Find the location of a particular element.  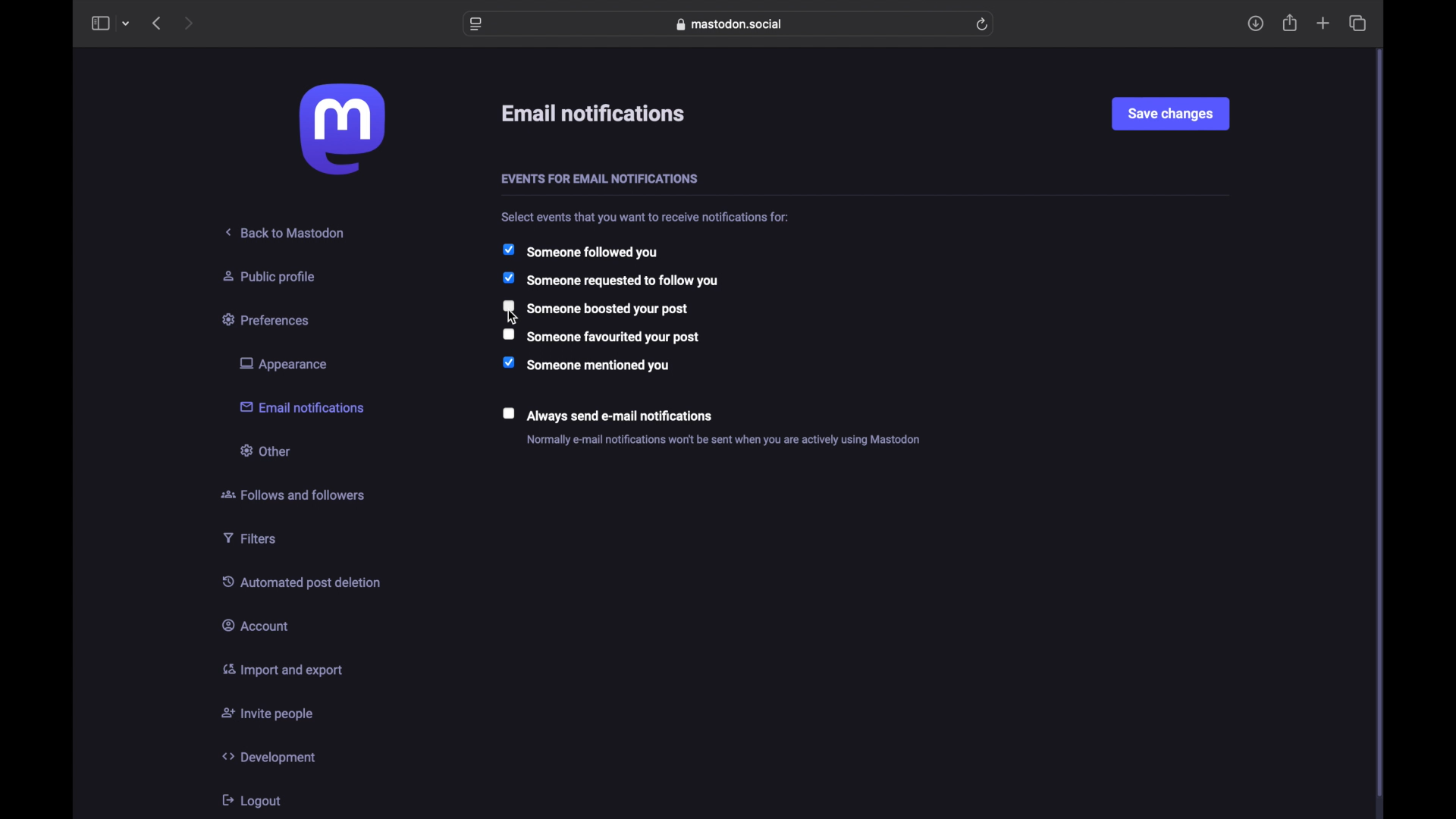

email notifications is located at coordinates (302, 406).